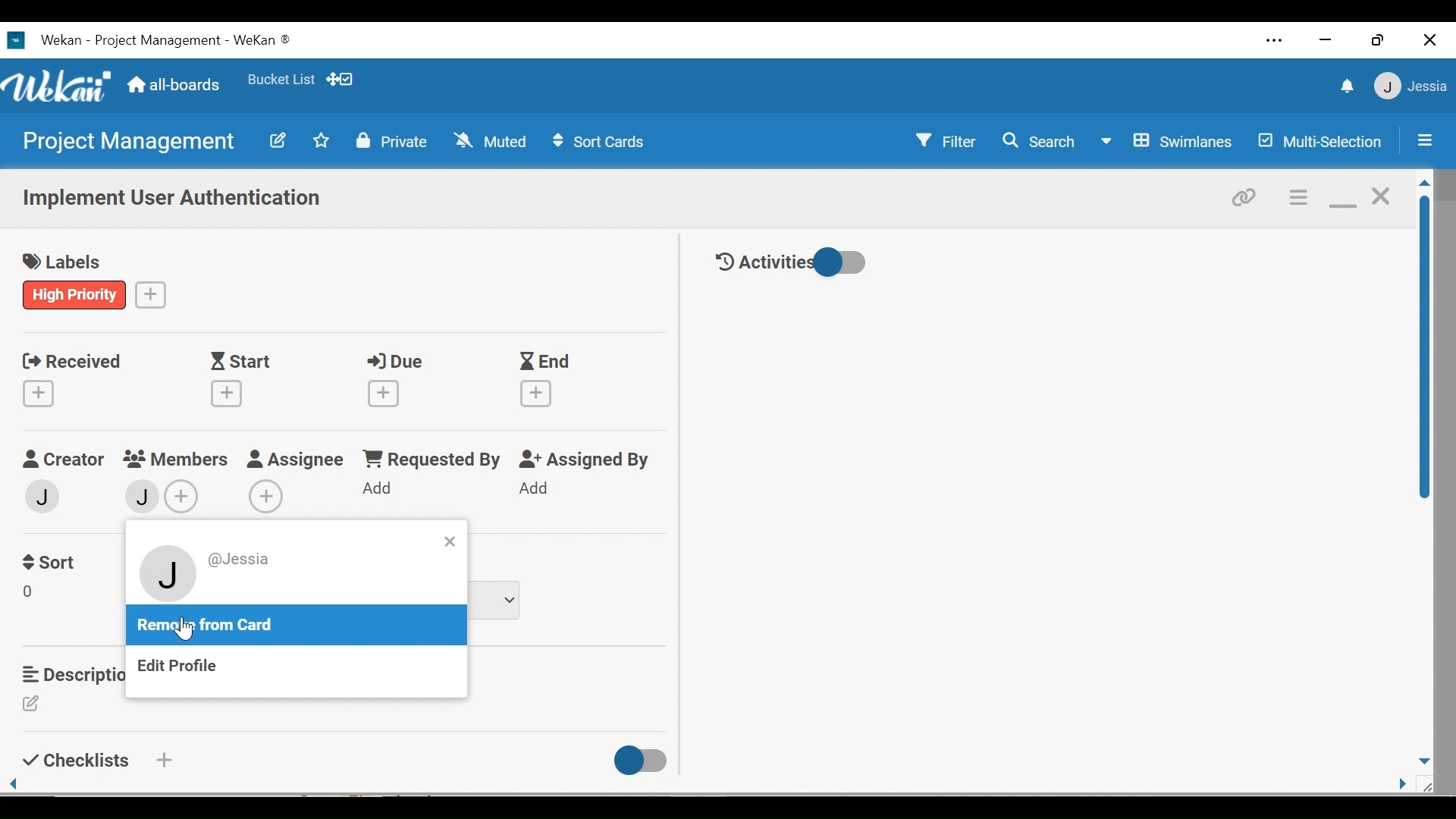  I want to click on add, so click(184, 497).